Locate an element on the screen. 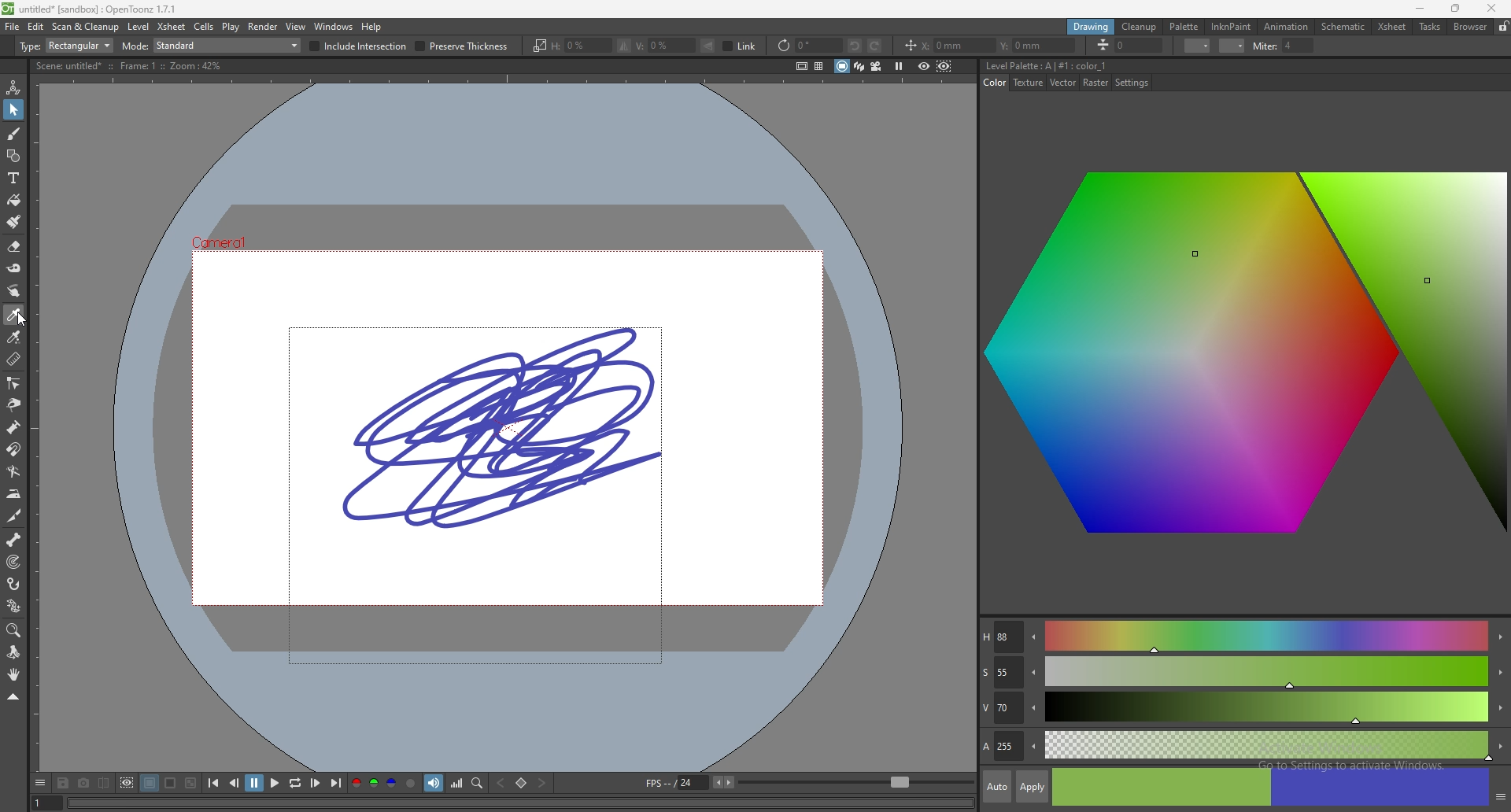 The image size is (1511, 812). iron tool is located at coordinates (14, 494).